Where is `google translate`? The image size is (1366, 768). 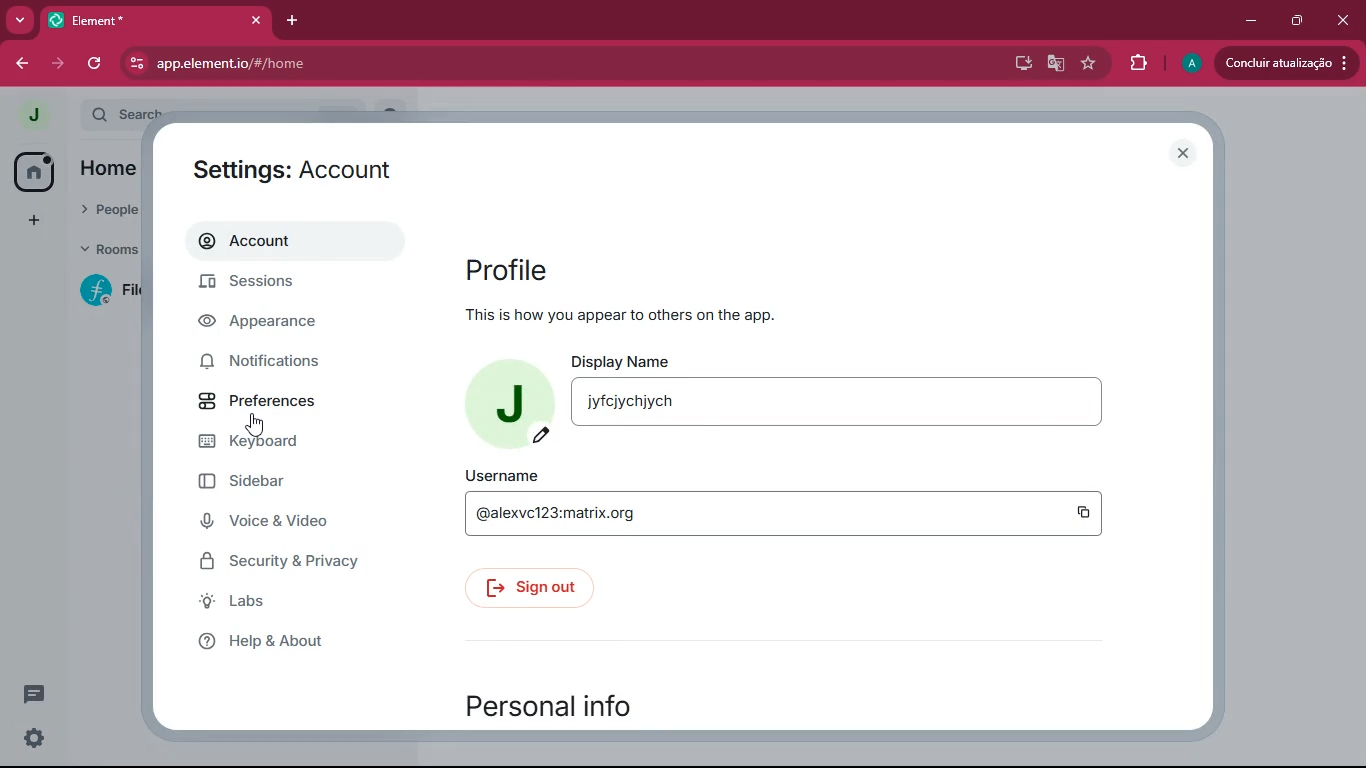 google translate is located at coordinates (1054, 64).